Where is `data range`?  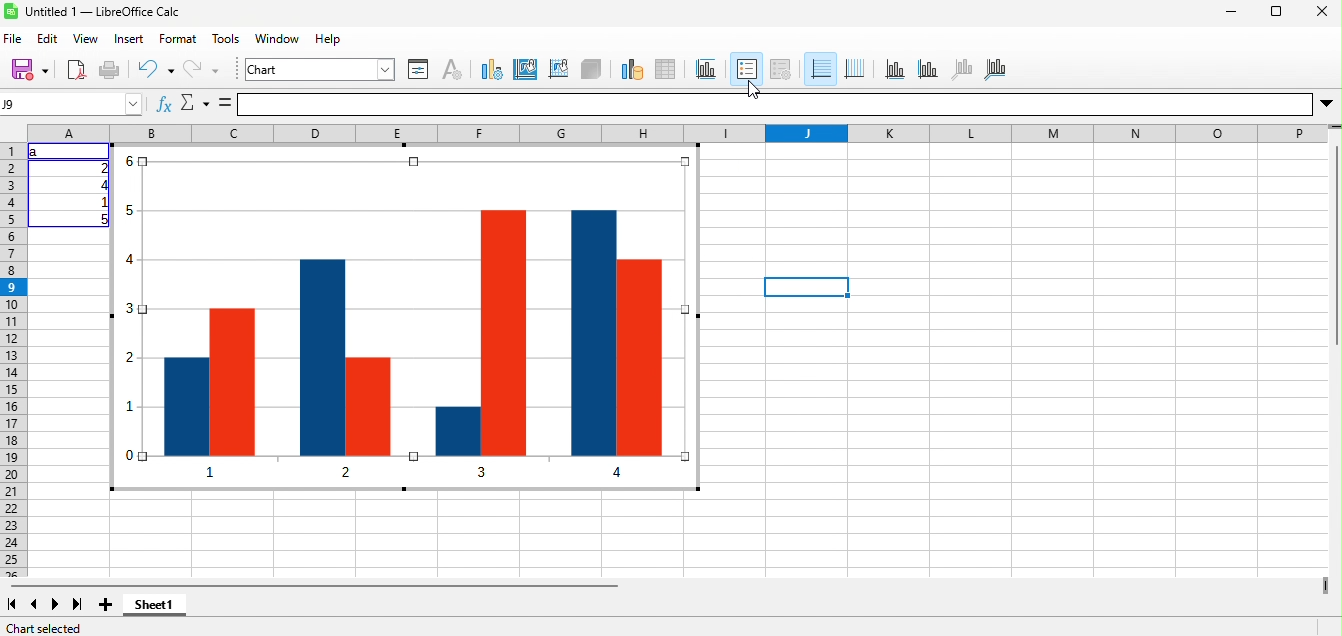
data range is located at coordinates (632, 70).